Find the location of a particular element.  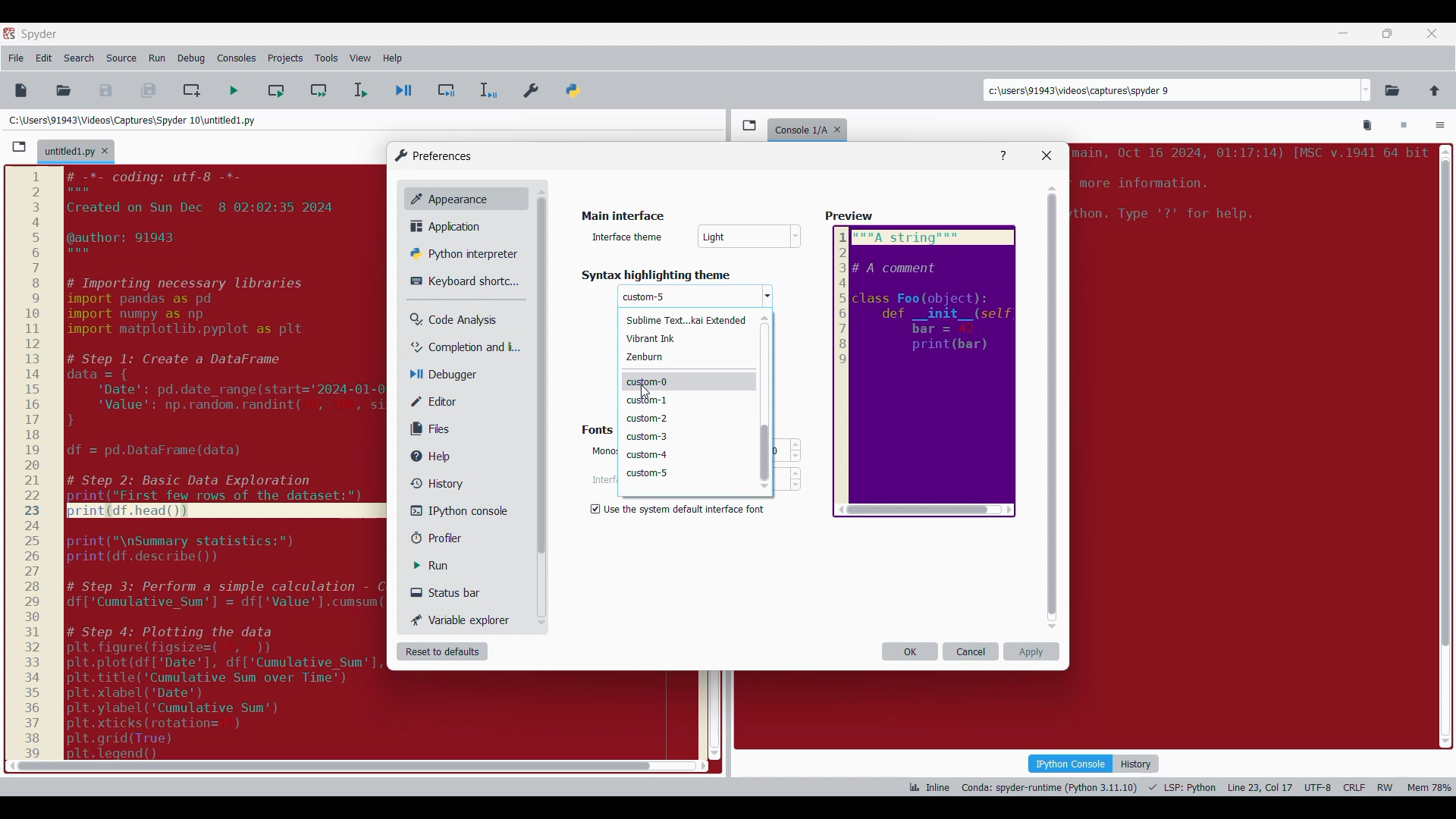

Theme options to choose from is located at coordinates (689, 396).